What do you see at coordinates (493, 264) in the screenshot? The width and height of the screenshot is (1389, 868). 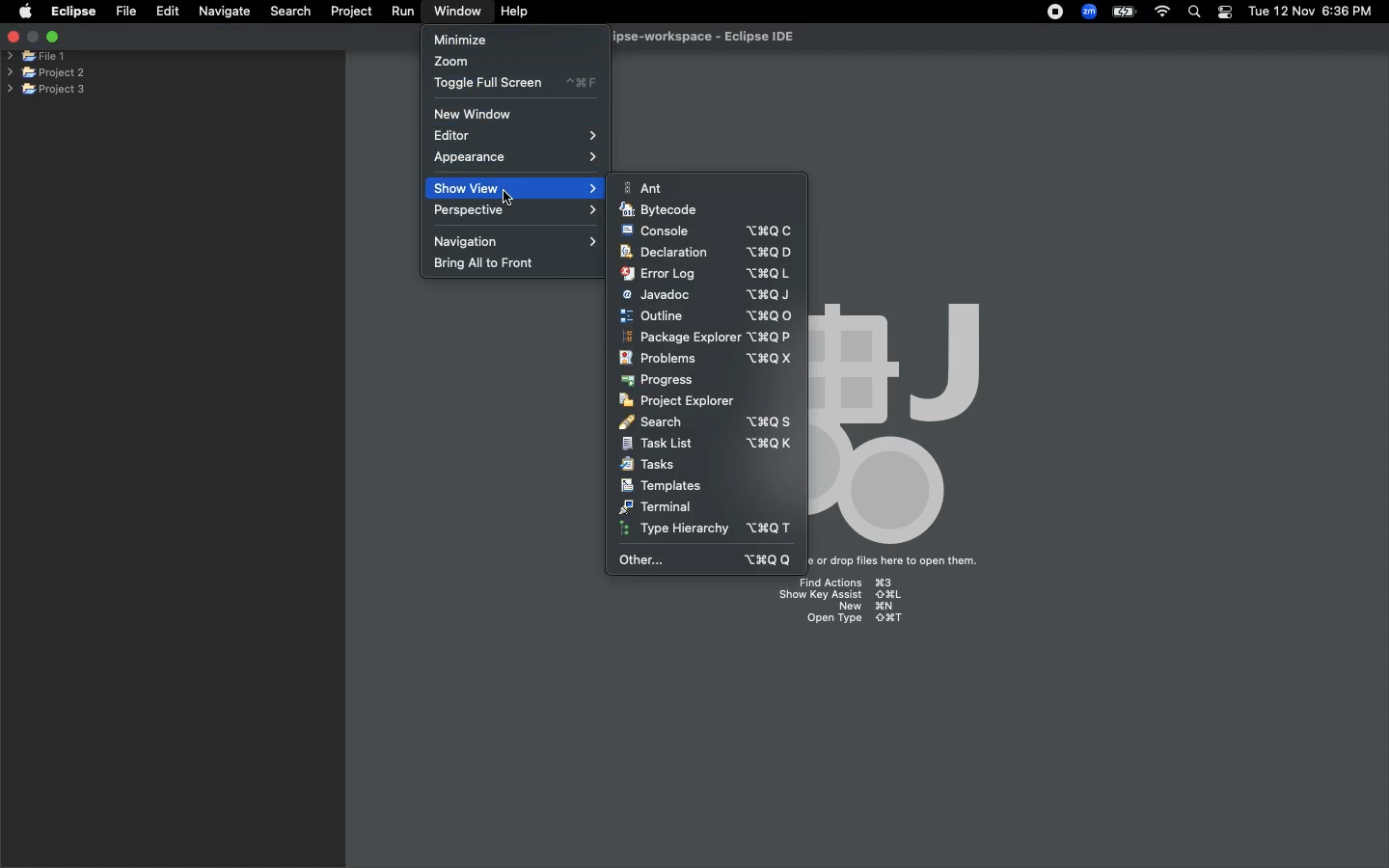 I see `Bring all to front` at bounding box center [493, 264].